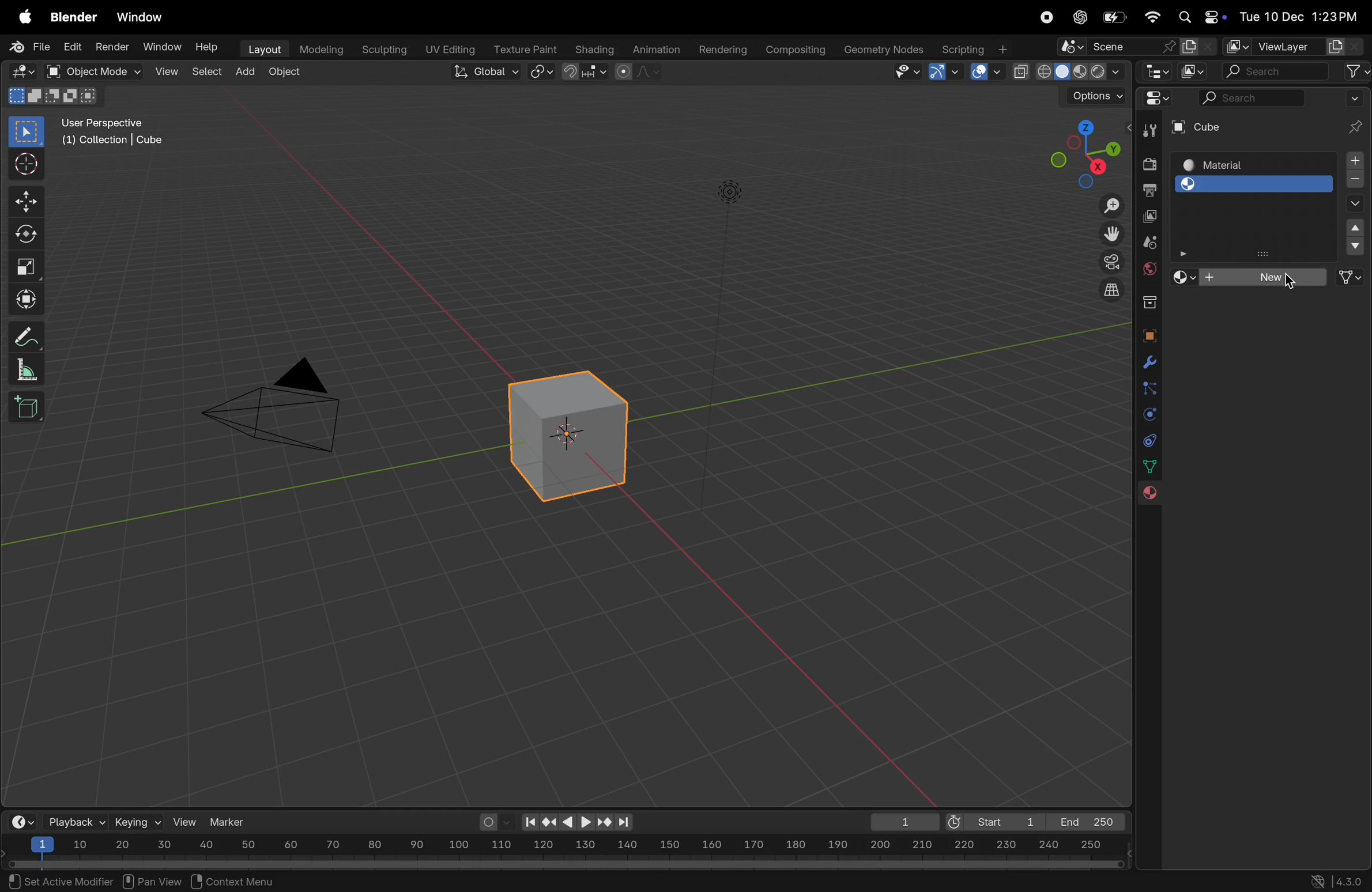  Describe the element at coordinates (1117, 17) in the screenshot. I see `battery` at that location.